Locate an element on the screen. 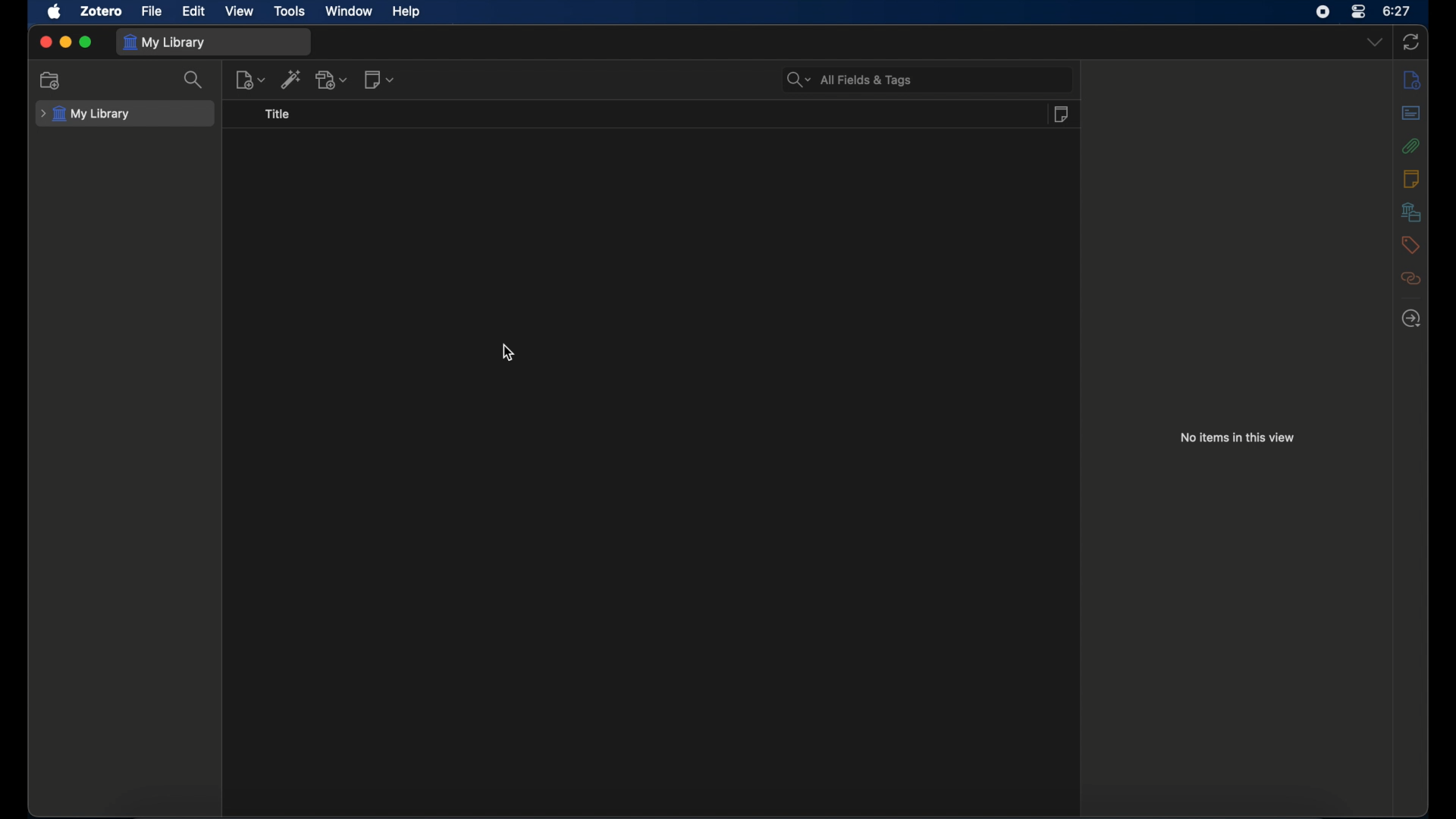  add attachments is located at coordinates (331, 80).